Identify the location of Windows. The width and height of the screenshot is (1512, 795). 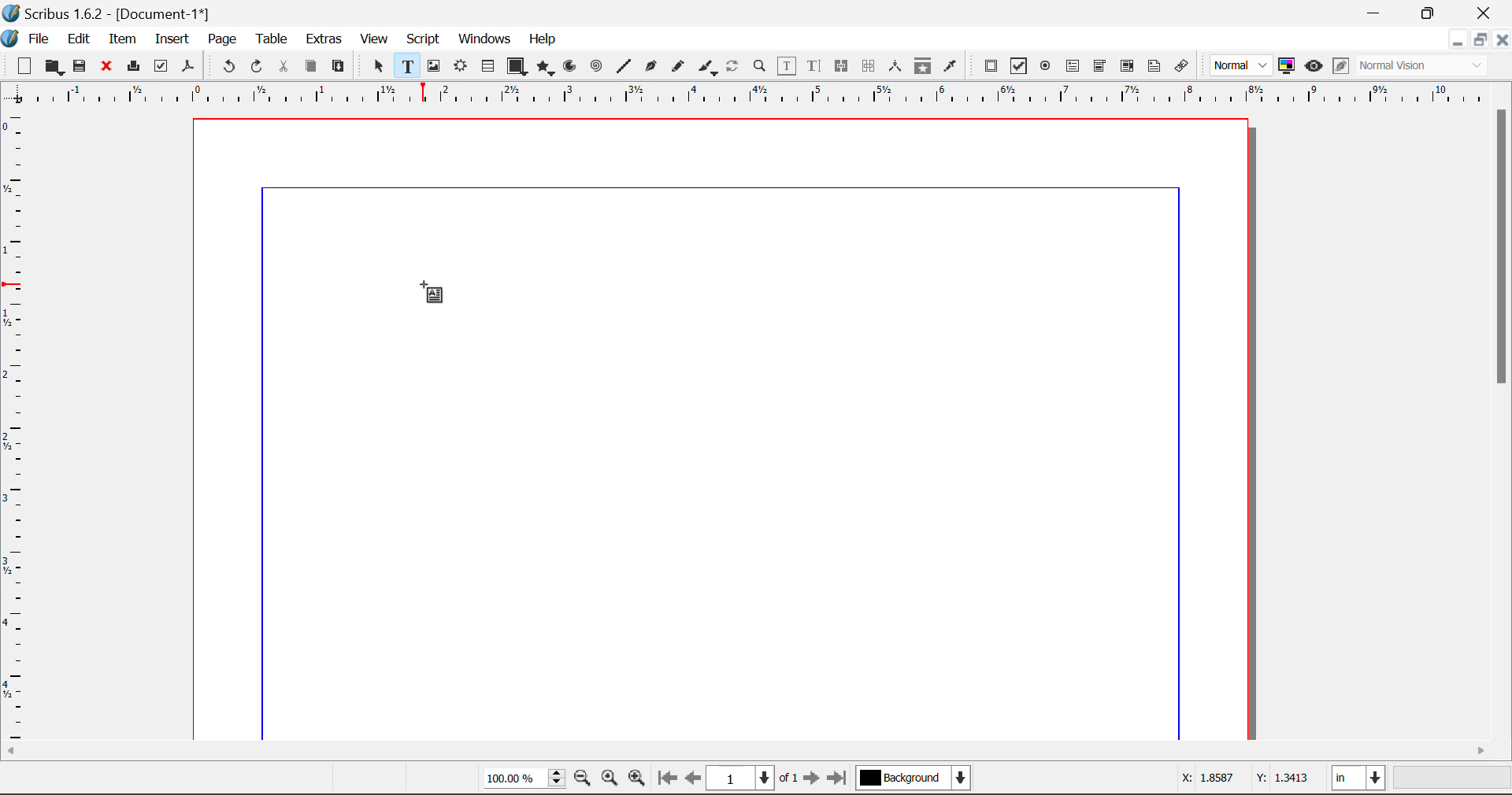
(484, 40).